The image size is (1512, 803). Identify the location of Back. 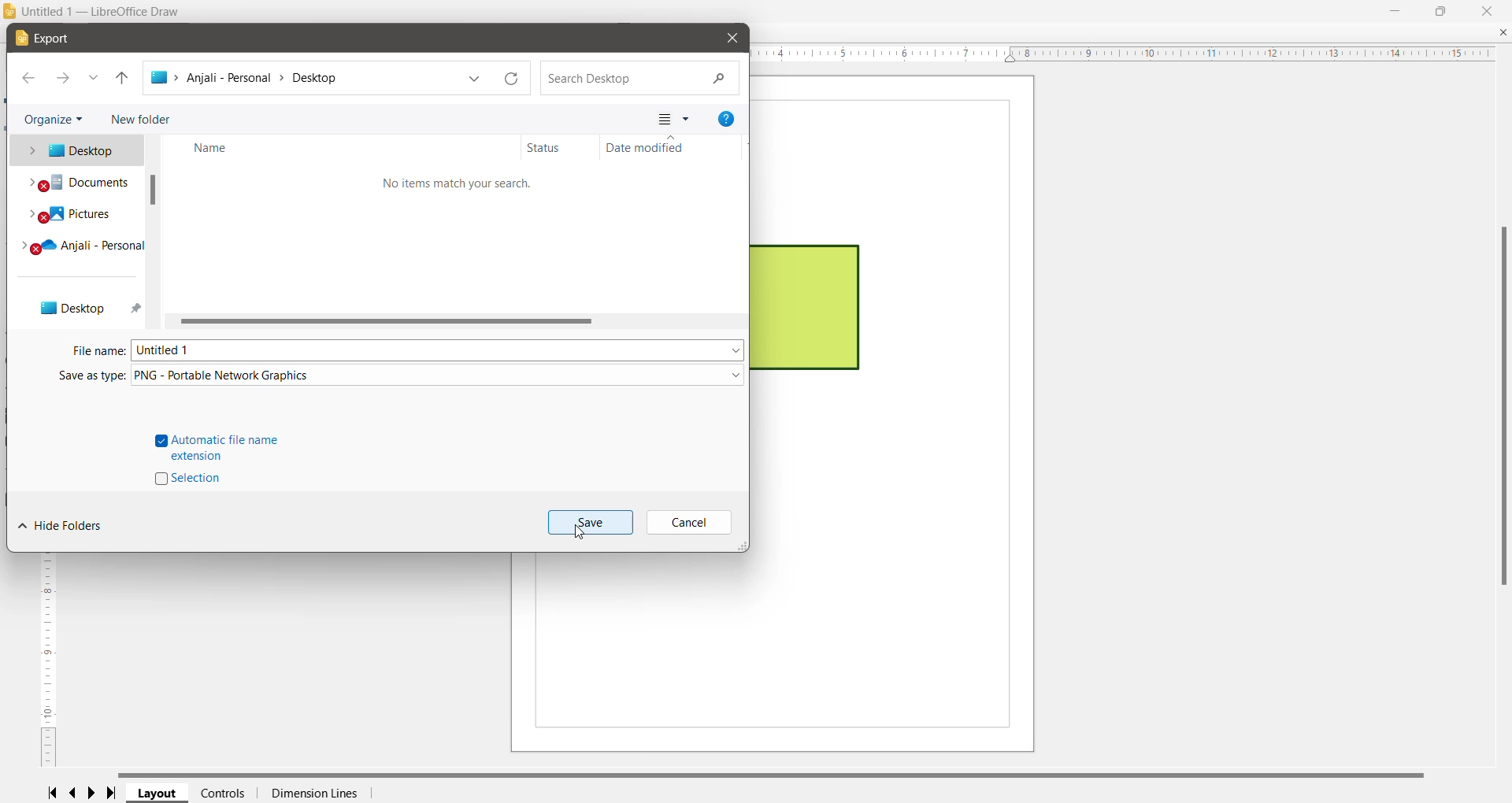
(29, 79).